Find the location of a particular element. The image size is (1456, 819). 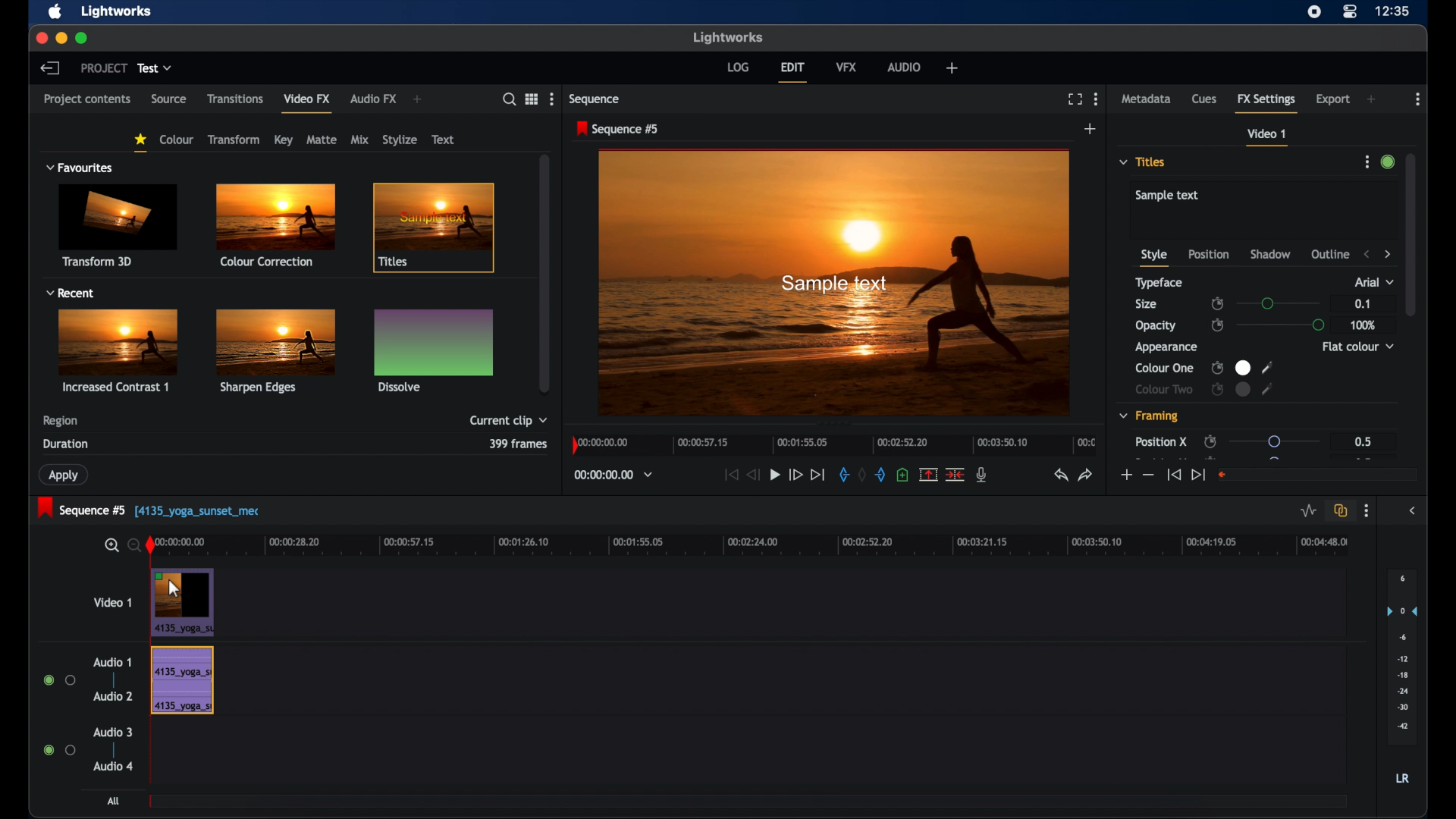

key is located at coordinates (284, 140).